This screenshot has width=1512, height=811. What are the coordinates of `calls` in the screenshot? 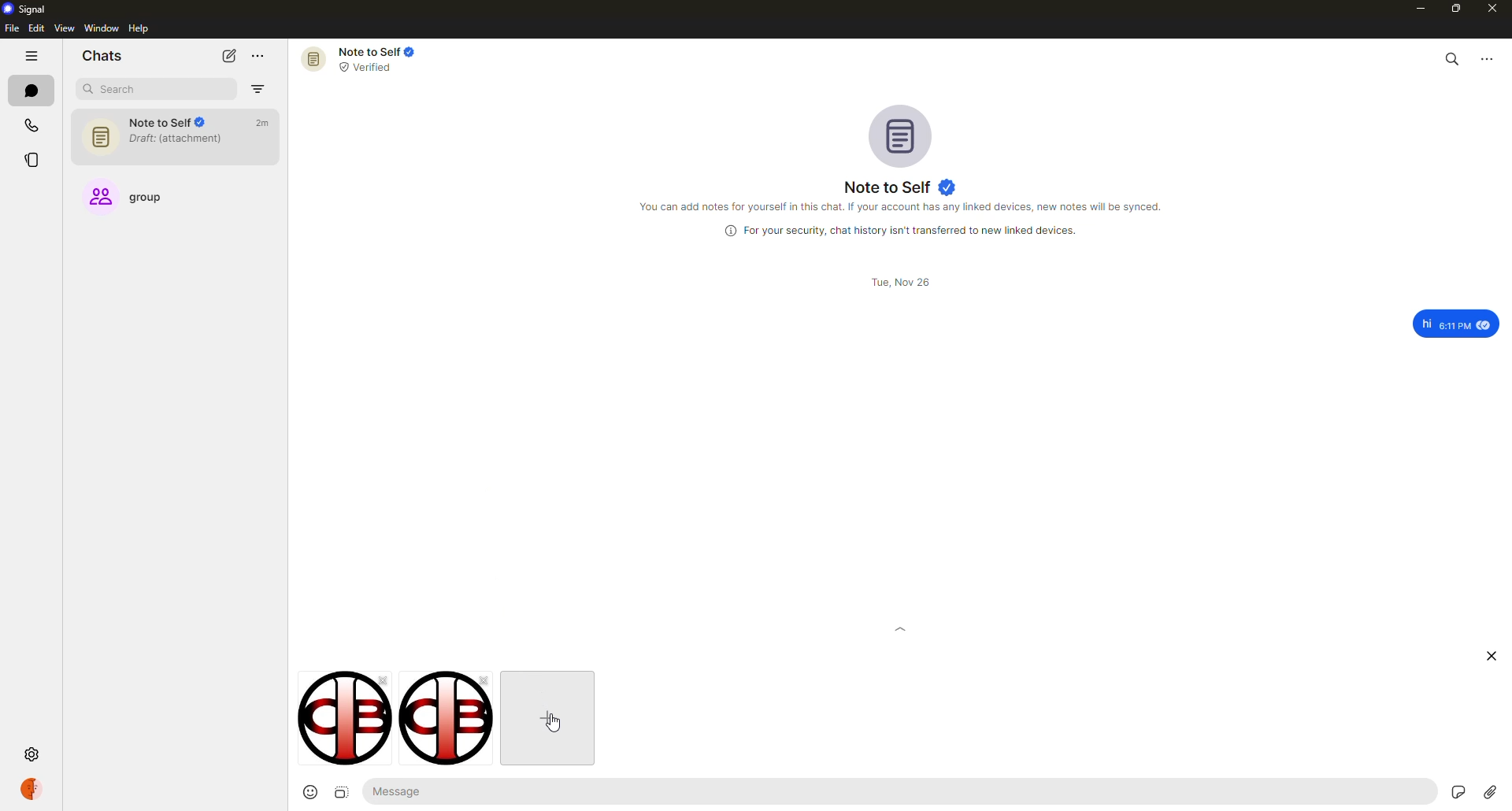 It's located at (27, 124).